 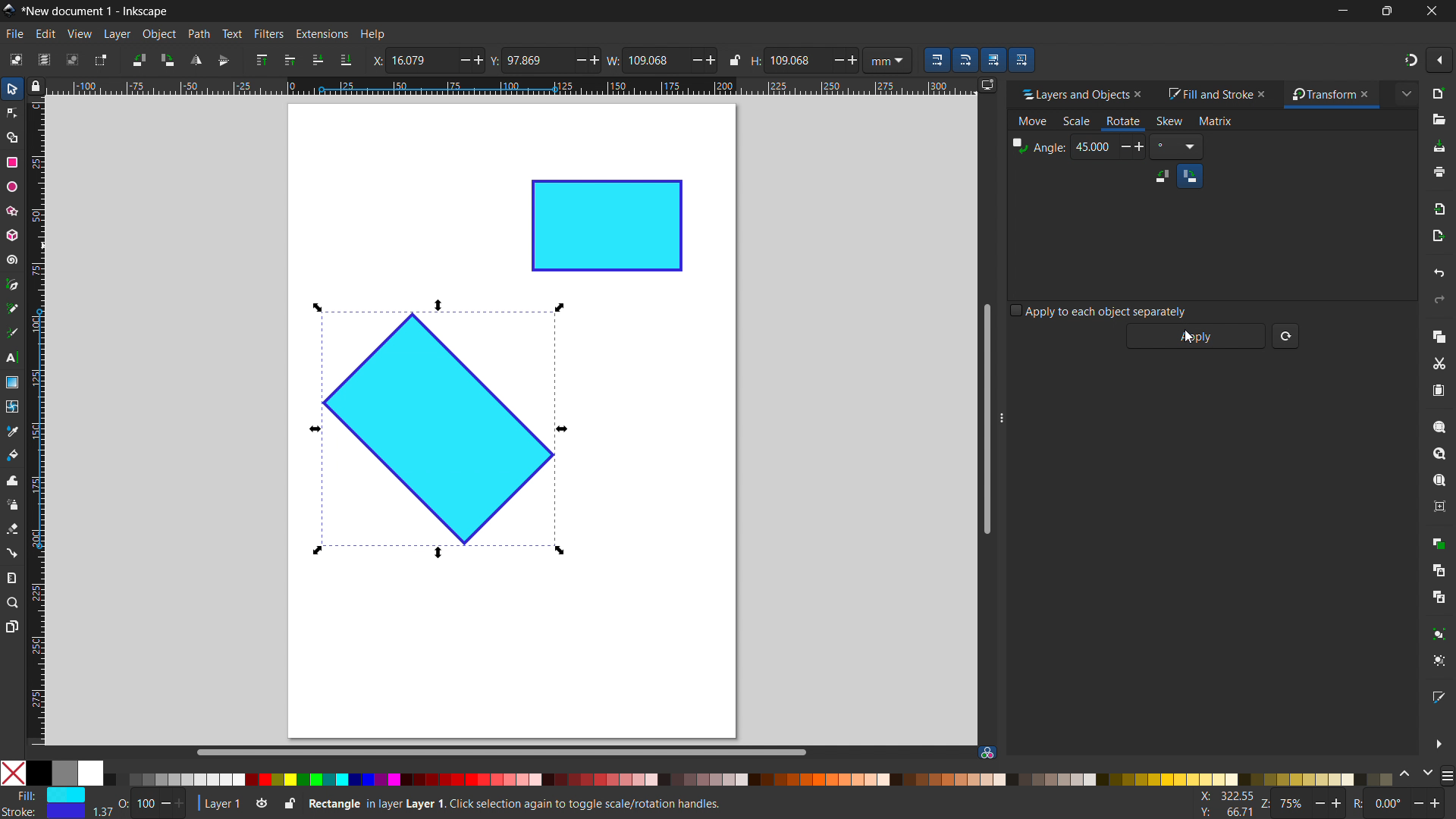 I want to click on redo, so click(x=1439, y=300).